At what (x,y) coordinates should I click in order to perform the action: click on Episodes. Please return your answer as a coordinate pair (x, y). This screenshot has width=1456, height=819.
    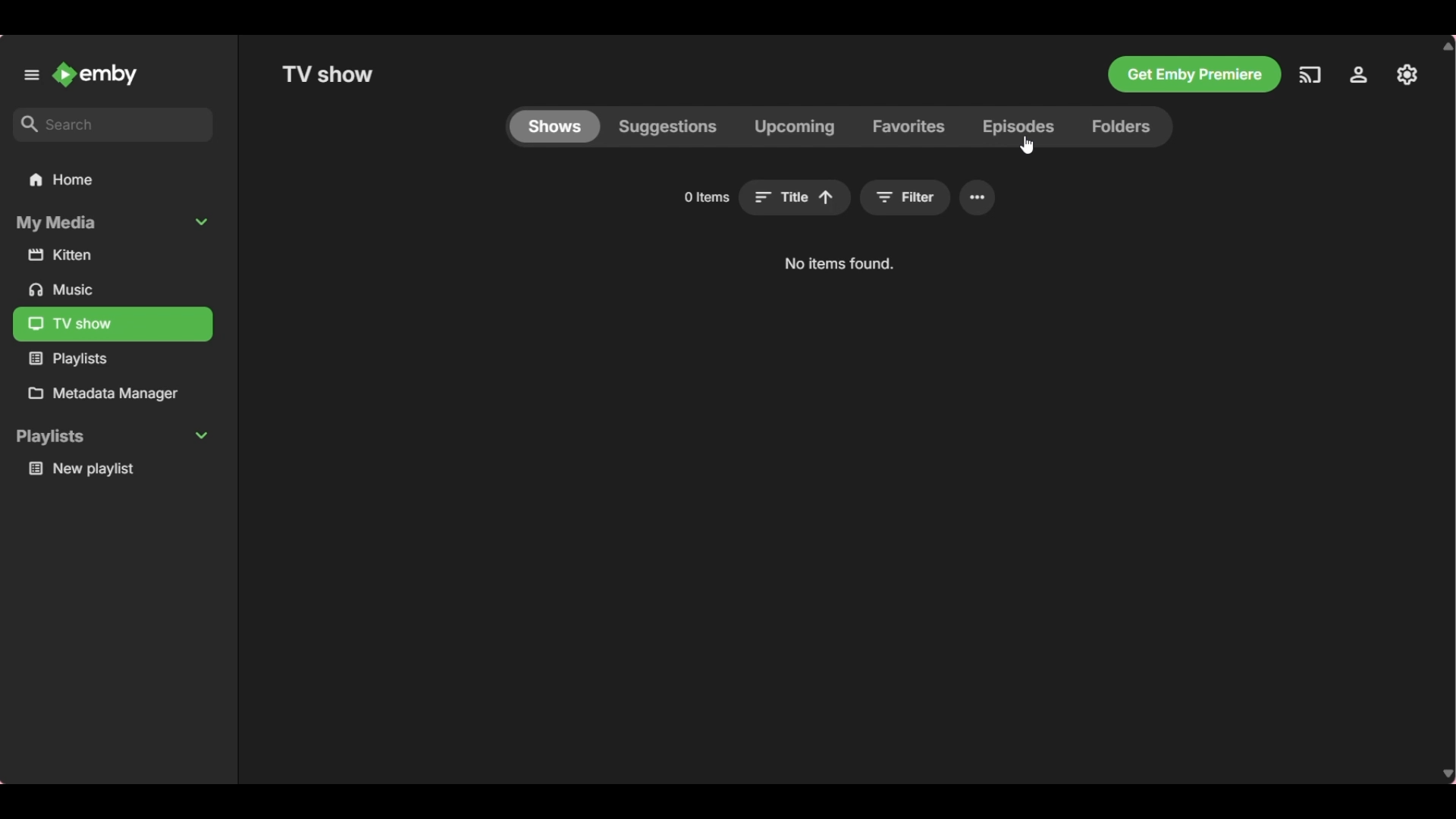
    Looking at the image, I should click on (1016, 127).